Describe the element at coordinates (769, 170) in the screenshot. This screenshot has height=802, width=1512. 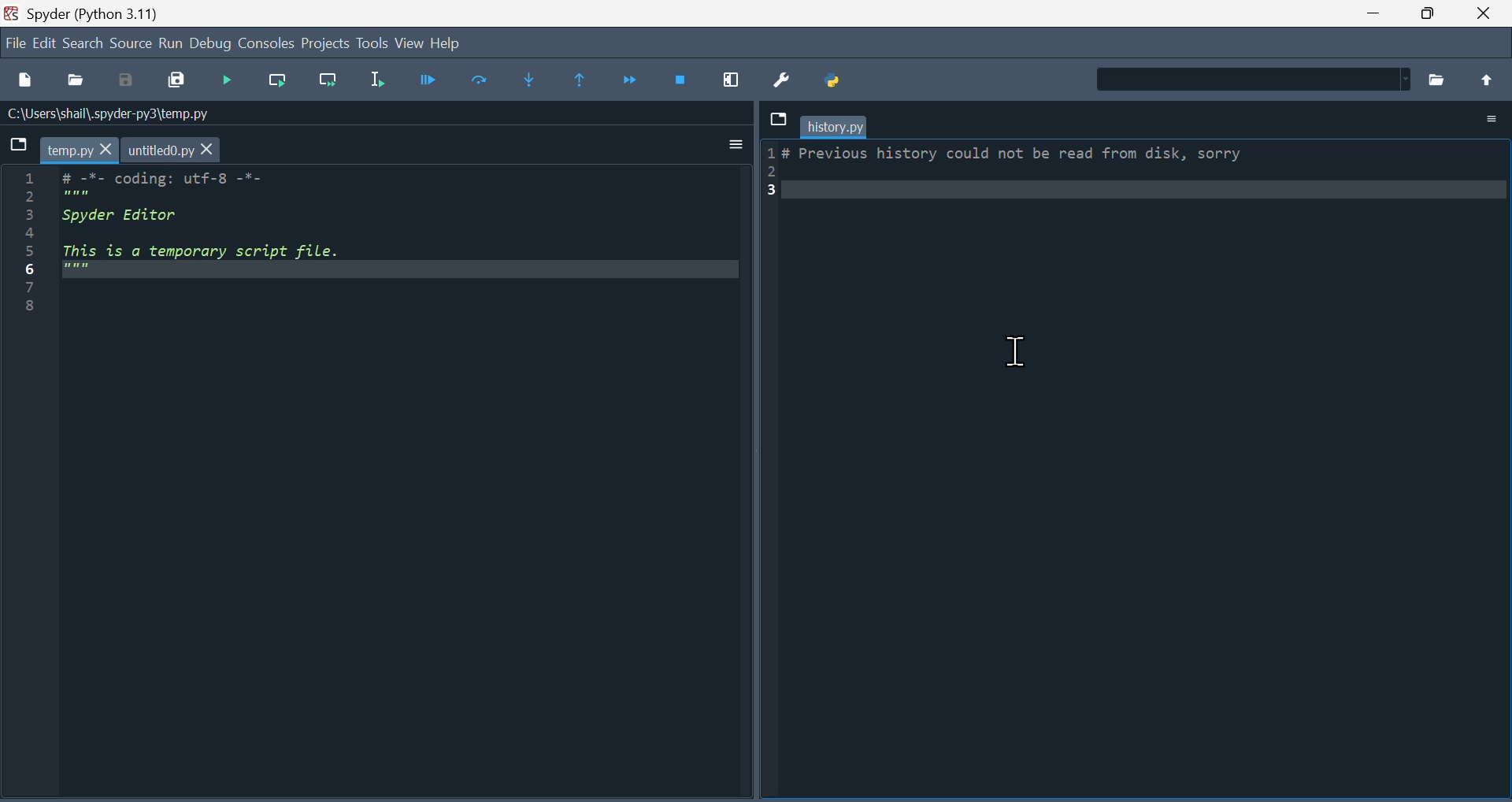
I see `serail numbers (1-3)` at that location.